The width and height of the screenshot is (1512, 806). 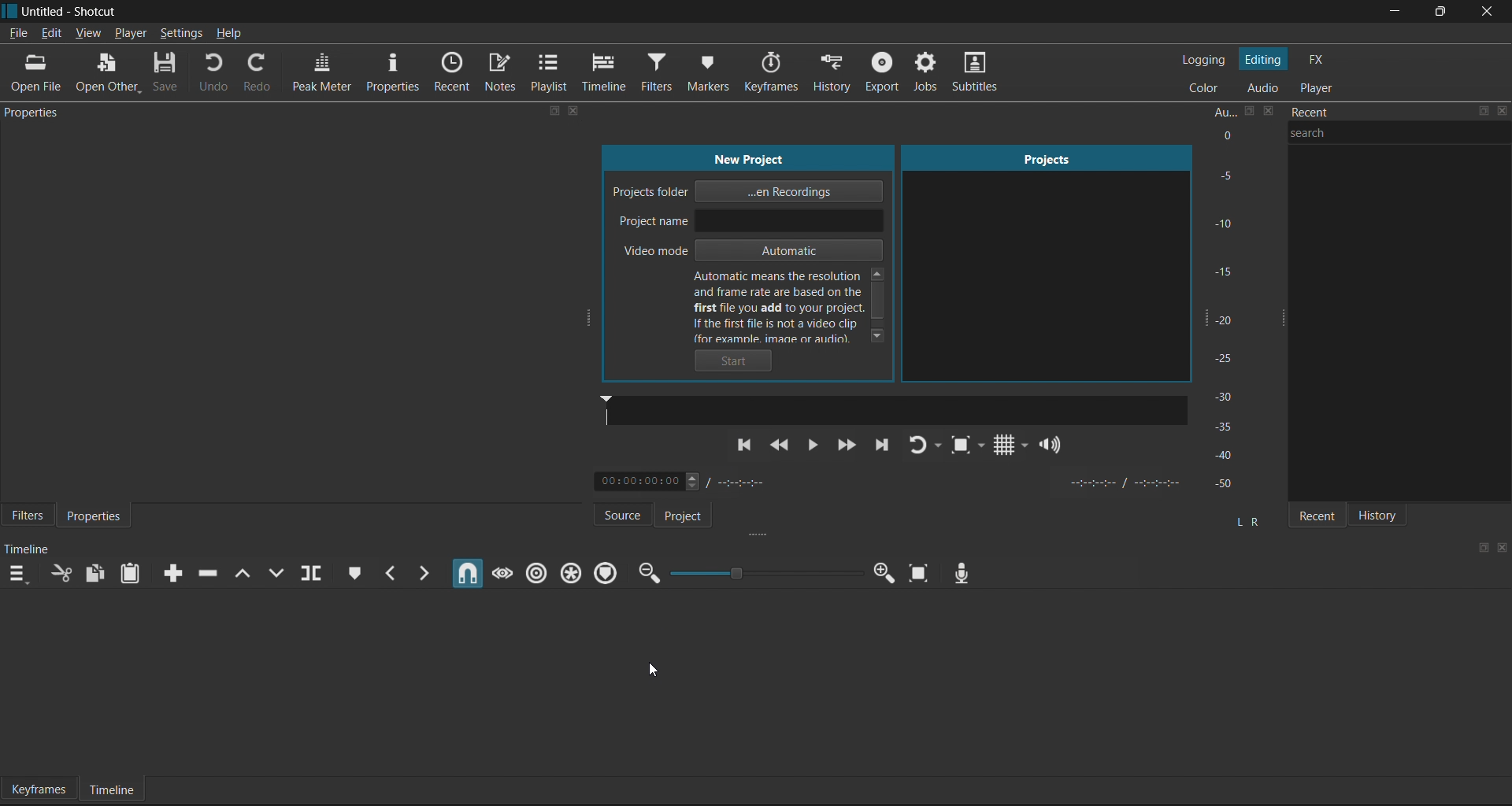 I want to click on recent, so click(x=1380, y=114).